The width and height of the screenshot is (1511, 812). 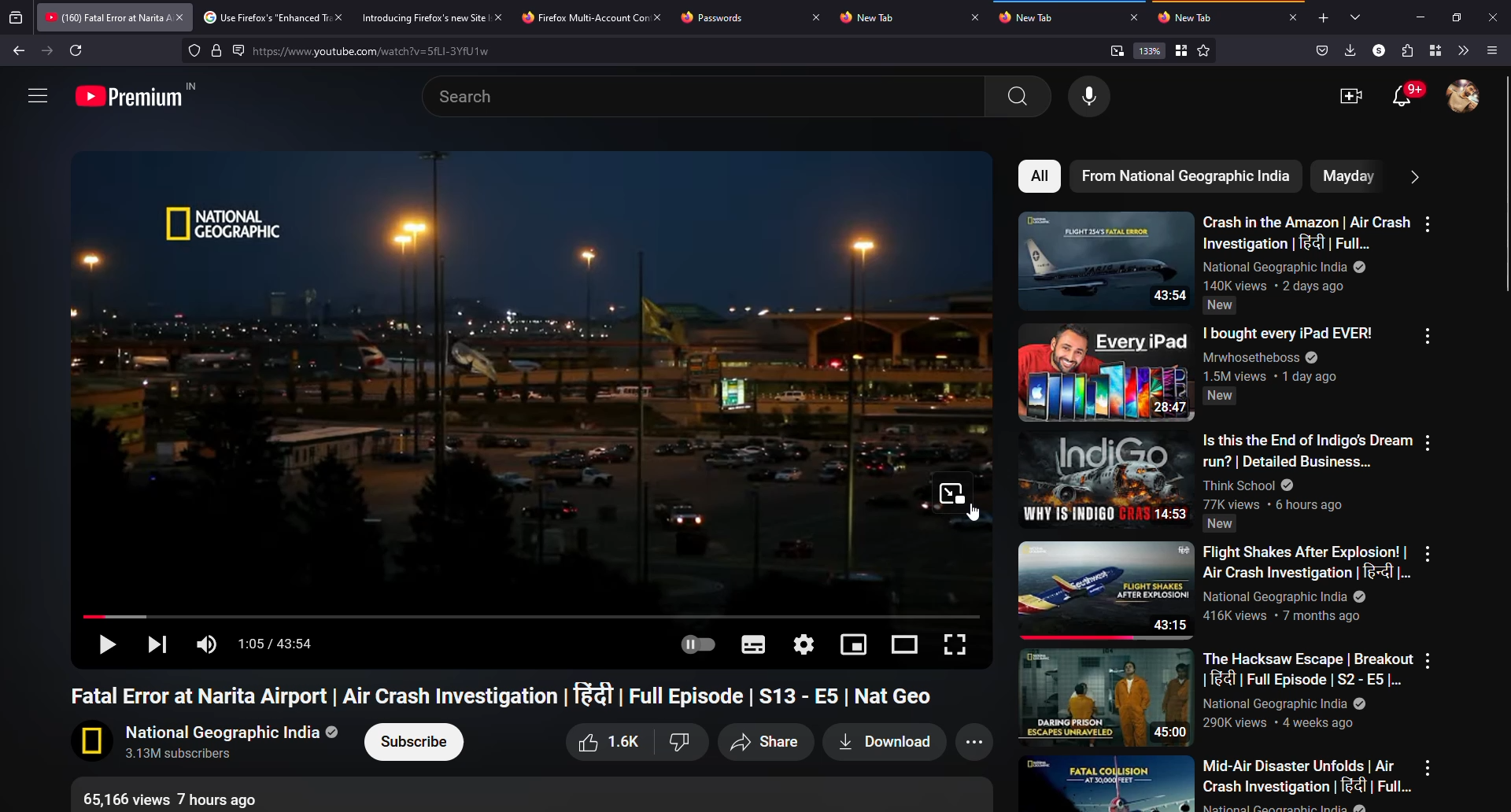 What do you see at coordinates (1376, 50) in the screenshot?
I see `profile` at bounding box center [1376, 50].